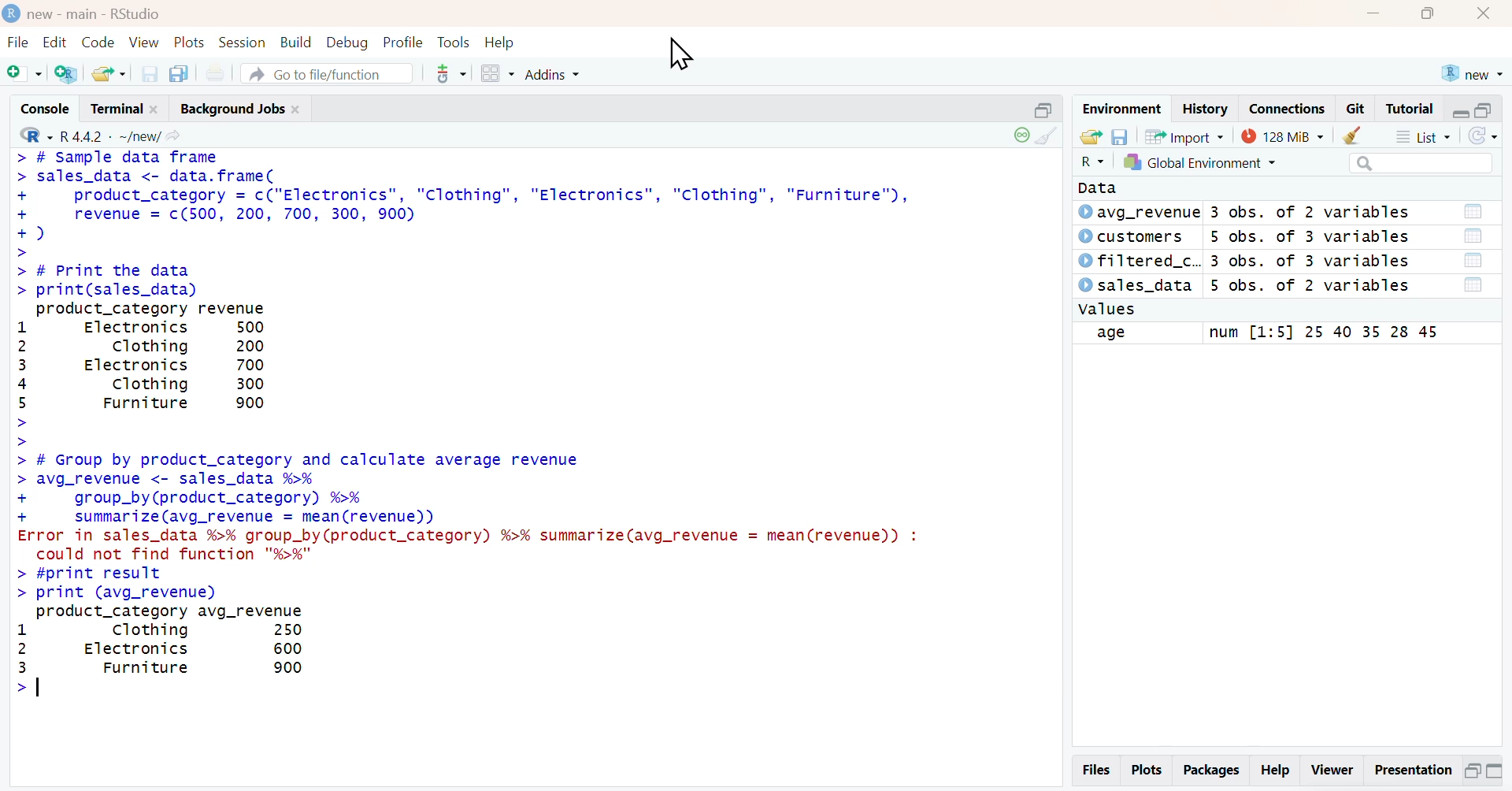  I want to click on minimize, so click(1046, 109).